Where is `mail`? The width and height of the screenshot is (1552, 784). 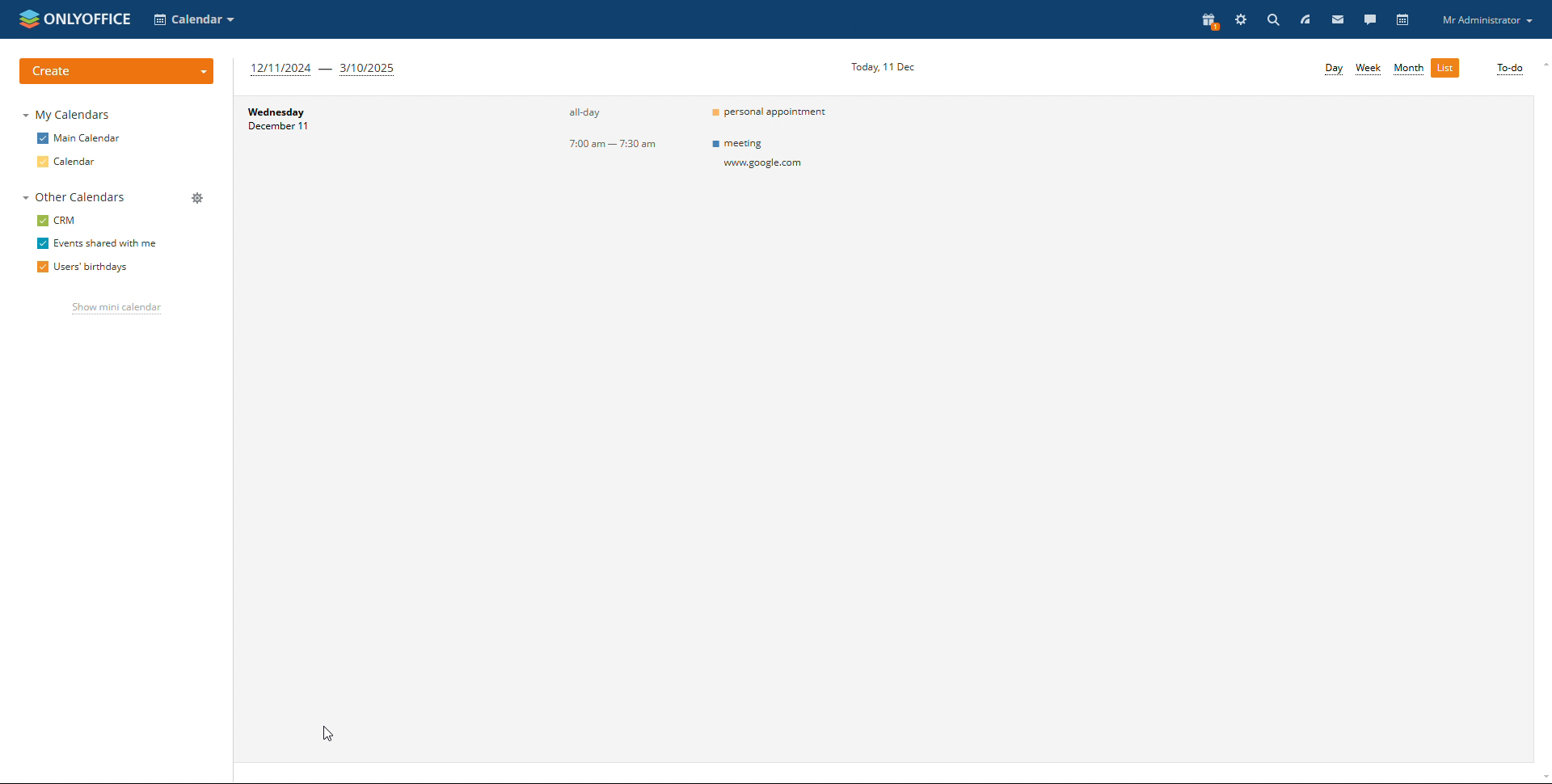
mail is located at coordinates (1339, 19).